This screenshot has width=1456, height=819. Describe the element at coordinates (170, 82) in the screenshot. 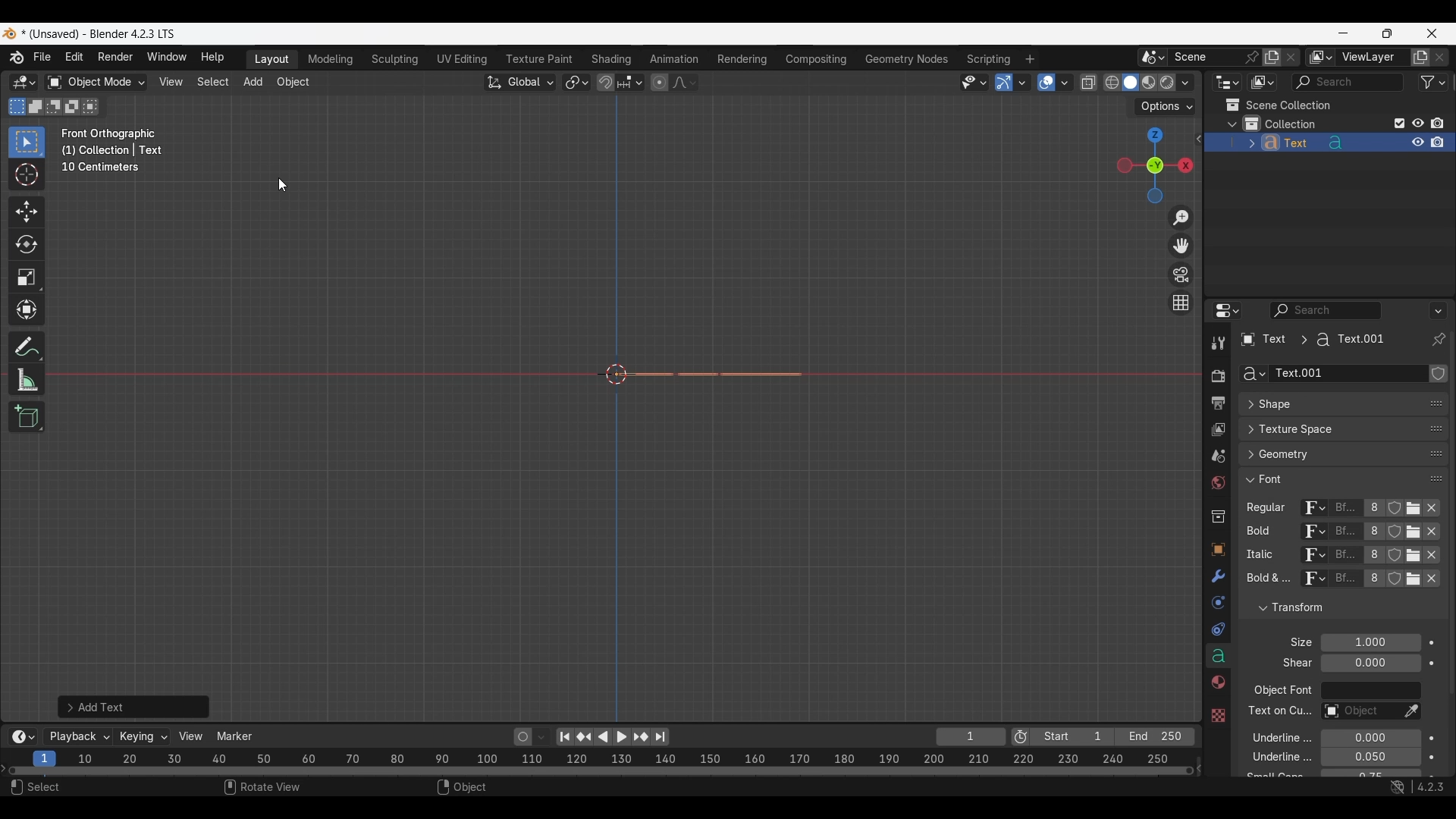

I see `View menu` at that location.